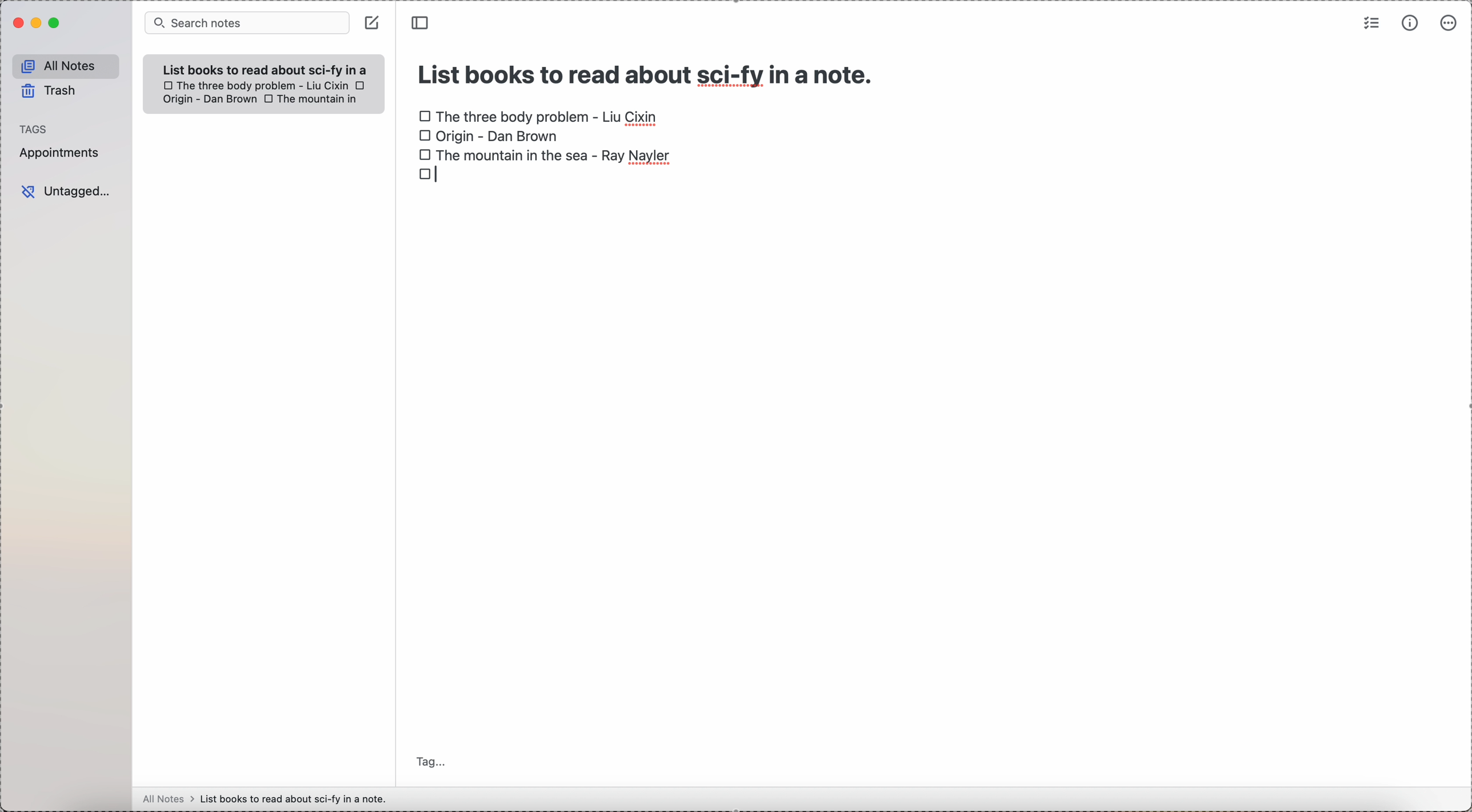 The width and height of the screenshot is (1472, 812). What do you see at coordinates (54, 25) in the screenshot?
I see `maximize` at bounding box center [54, 25].